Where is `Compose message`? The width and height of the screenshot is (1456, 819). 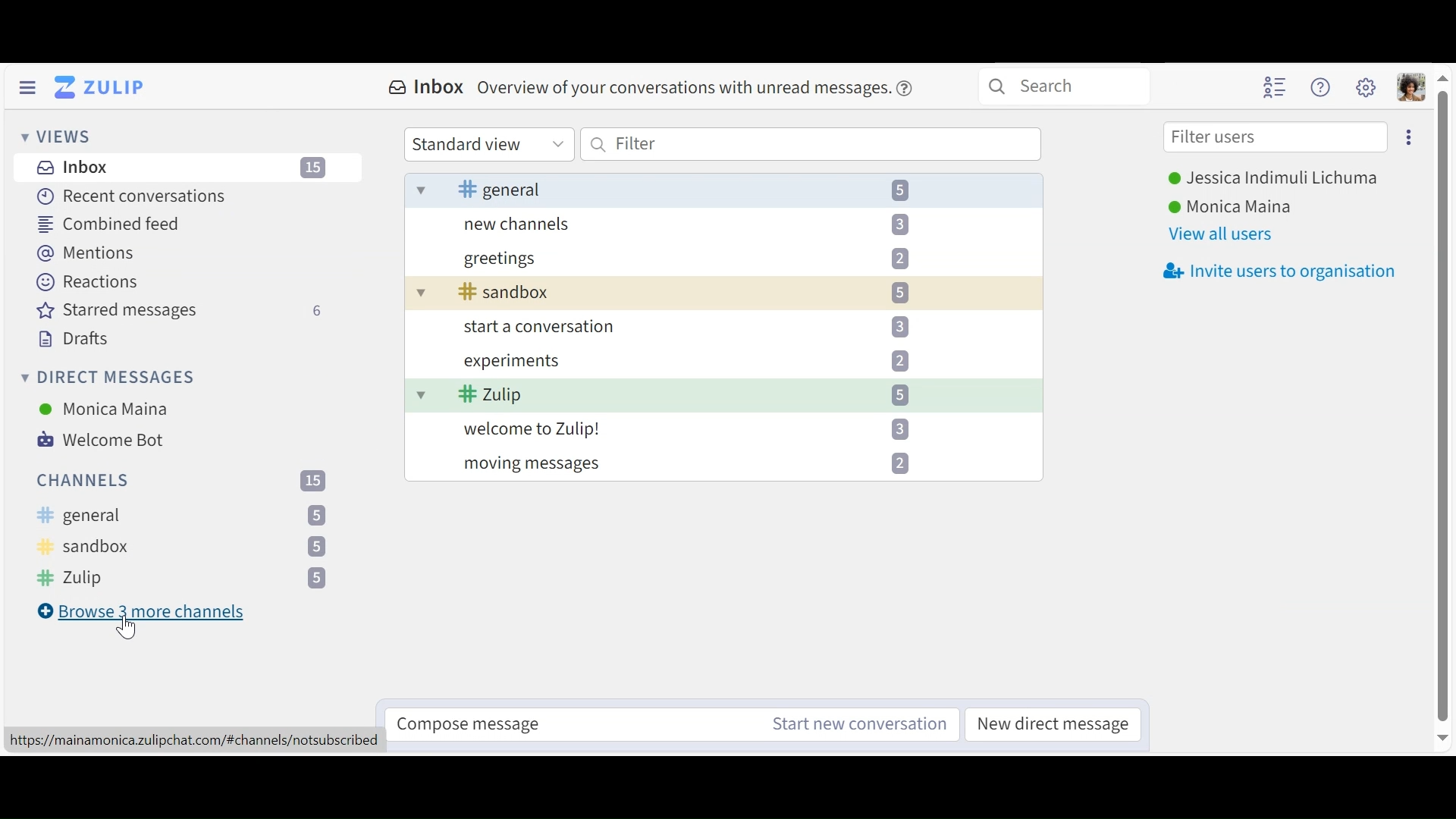 Compose message is located at coordinates (563, 725).